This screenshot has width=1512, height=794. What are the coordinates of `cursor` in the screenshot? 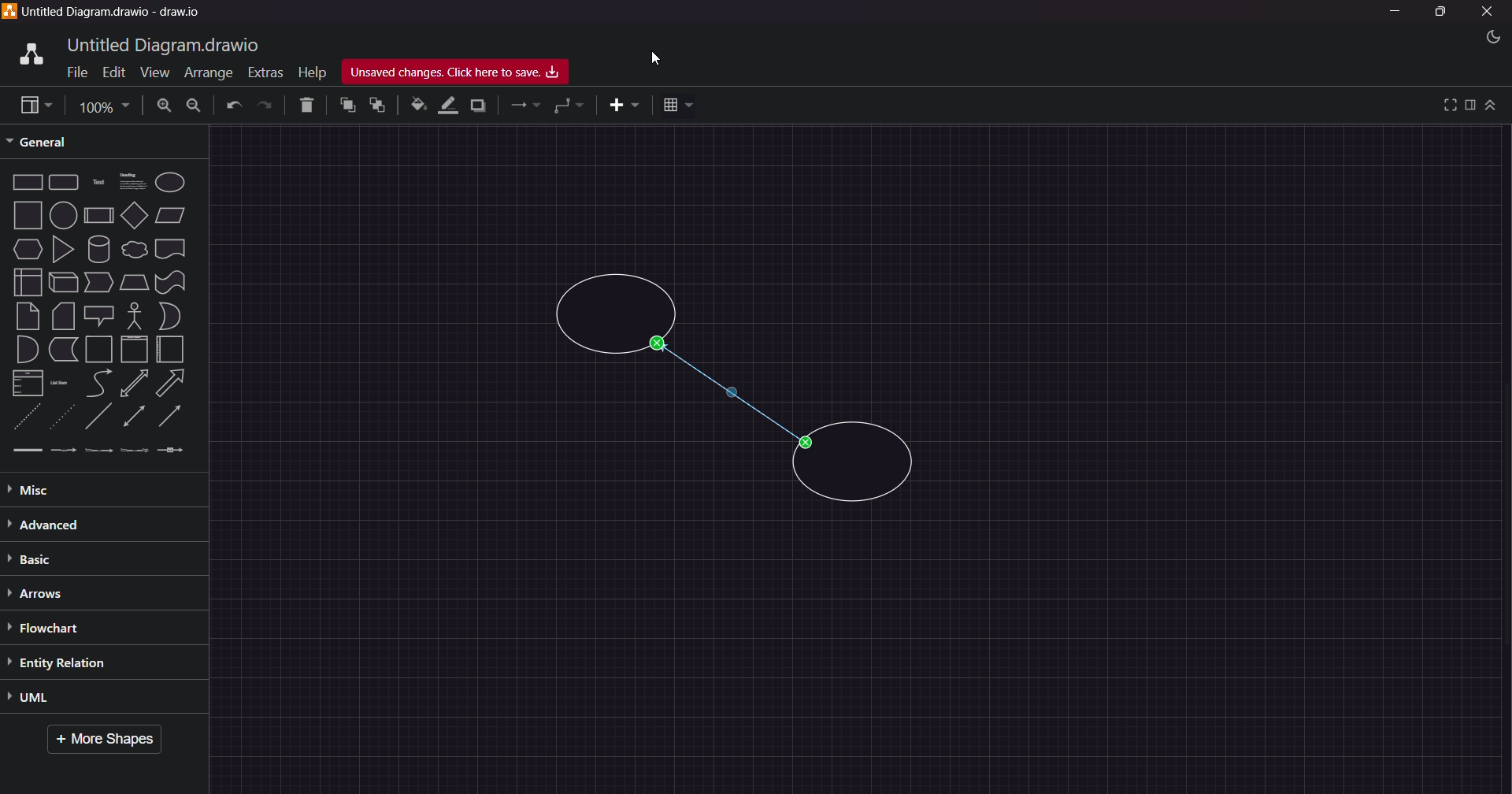 It's located at (657, 60).